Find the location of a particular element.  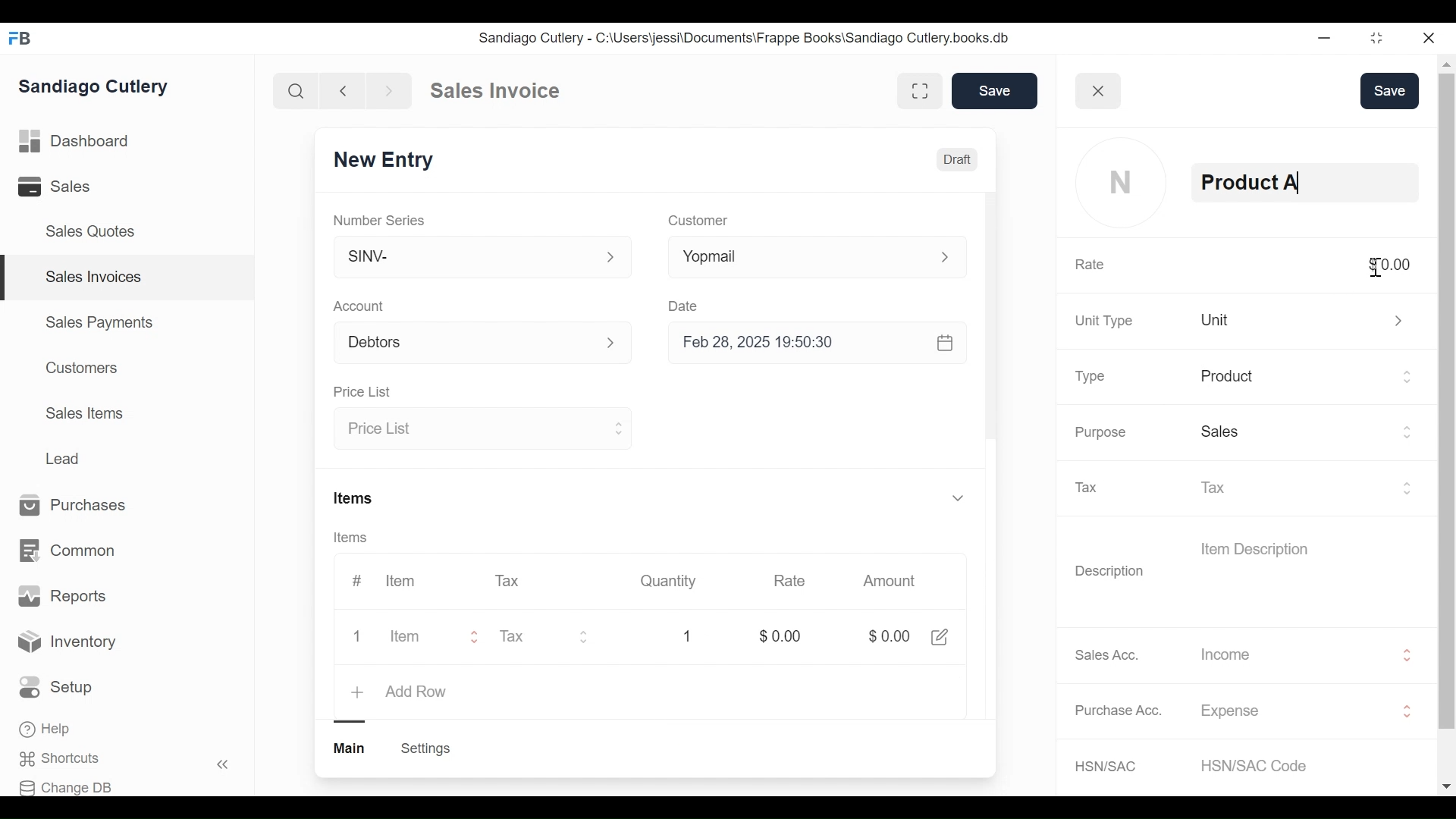

Customers is located at coordinates (78, 368).